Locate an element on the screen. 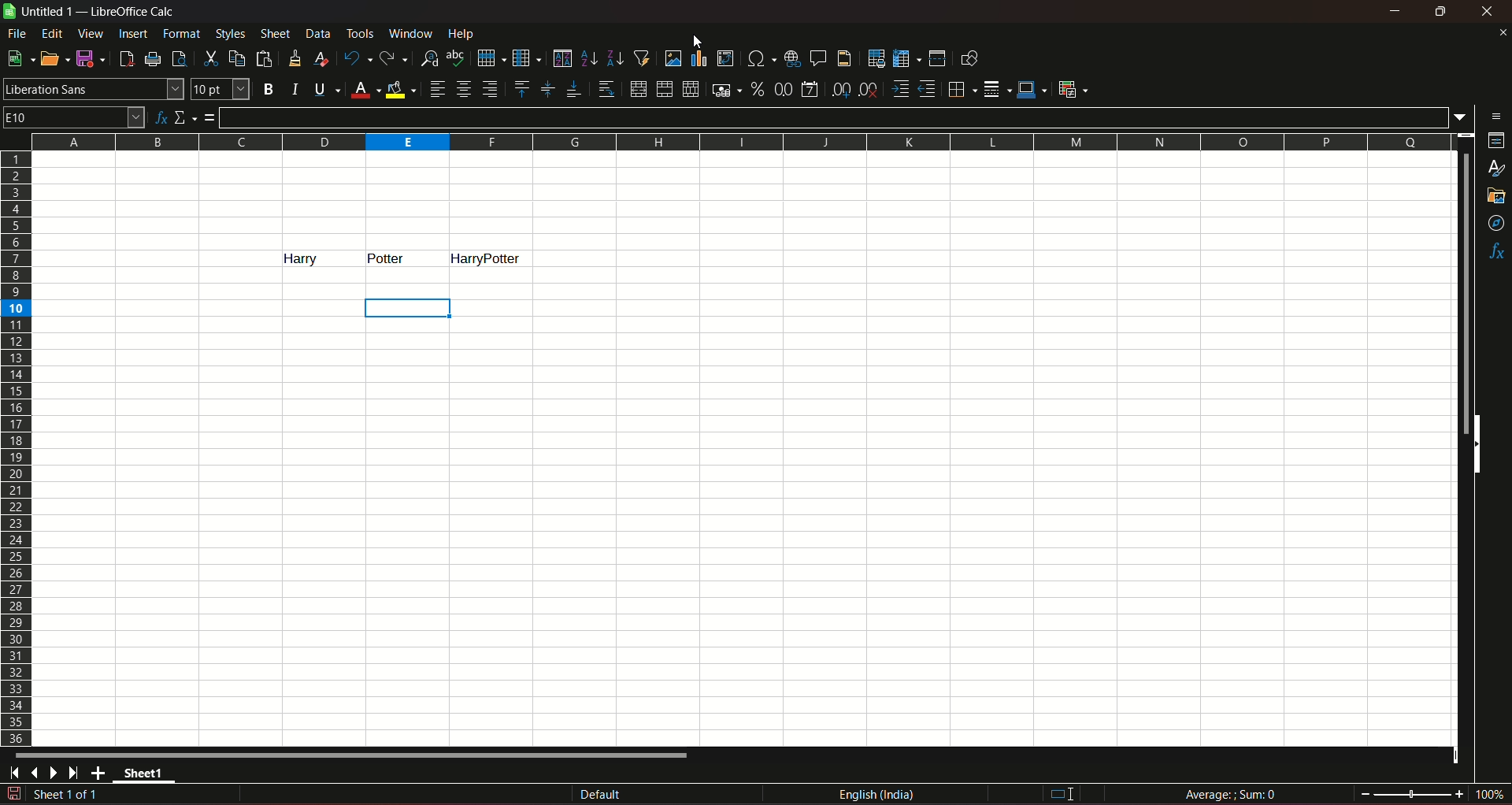 The height and width of the screenshot is (805, 1512). undo is located at coordinates (356, 57).